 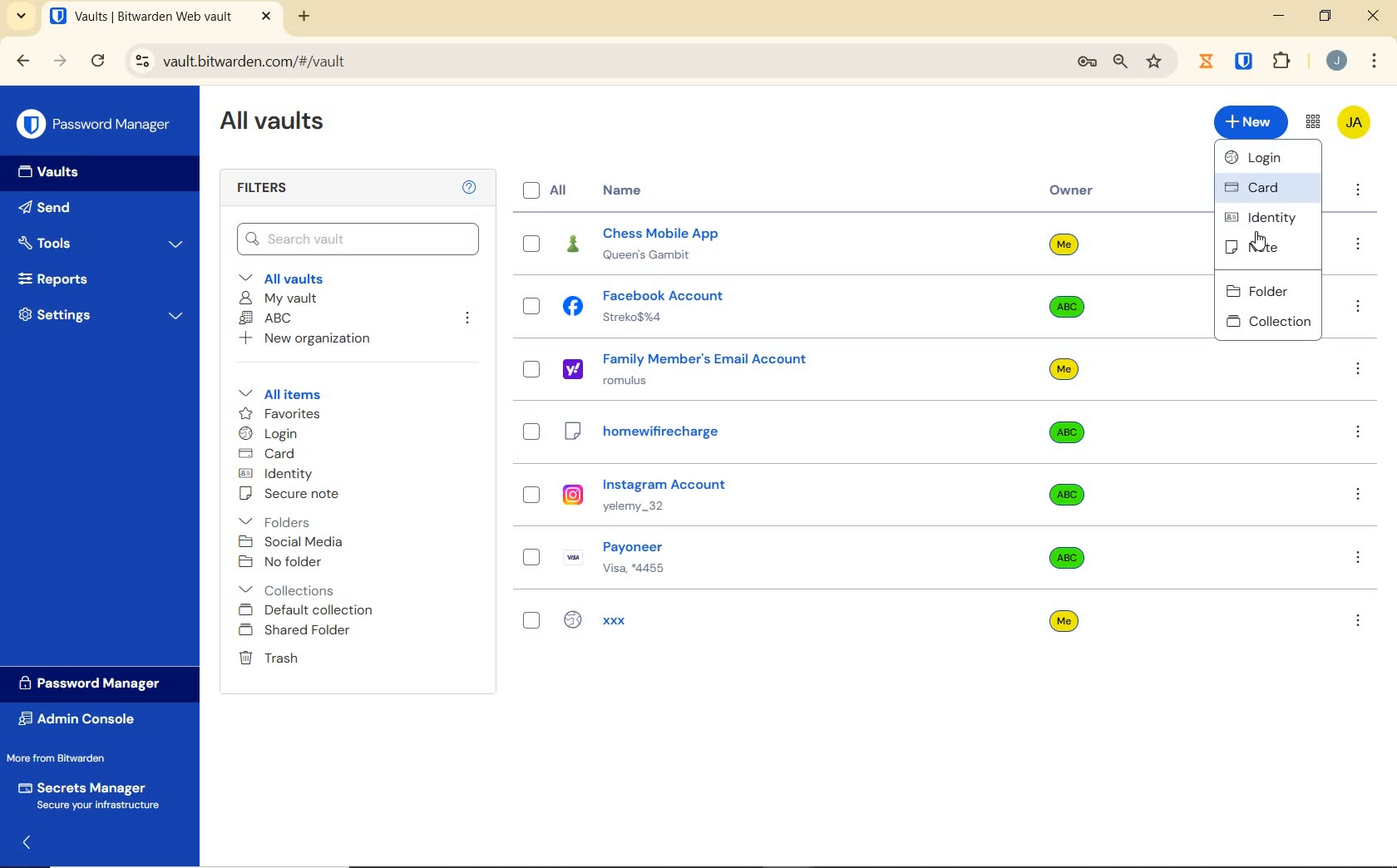 I want to click on Bitwarden Account, so click(x=1353, y=121).